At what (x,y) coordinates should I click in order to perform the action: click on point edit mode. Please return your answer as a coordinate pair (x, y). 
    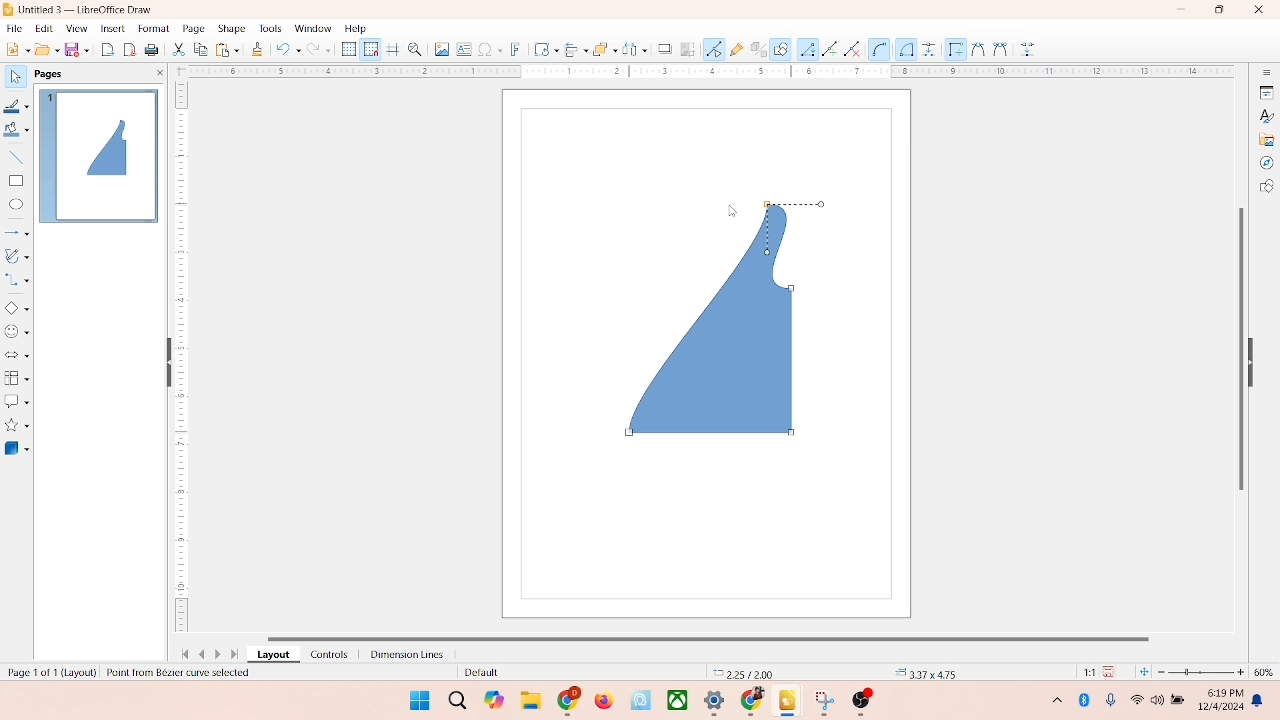
    Looking at the image, I should click on (714, 48).